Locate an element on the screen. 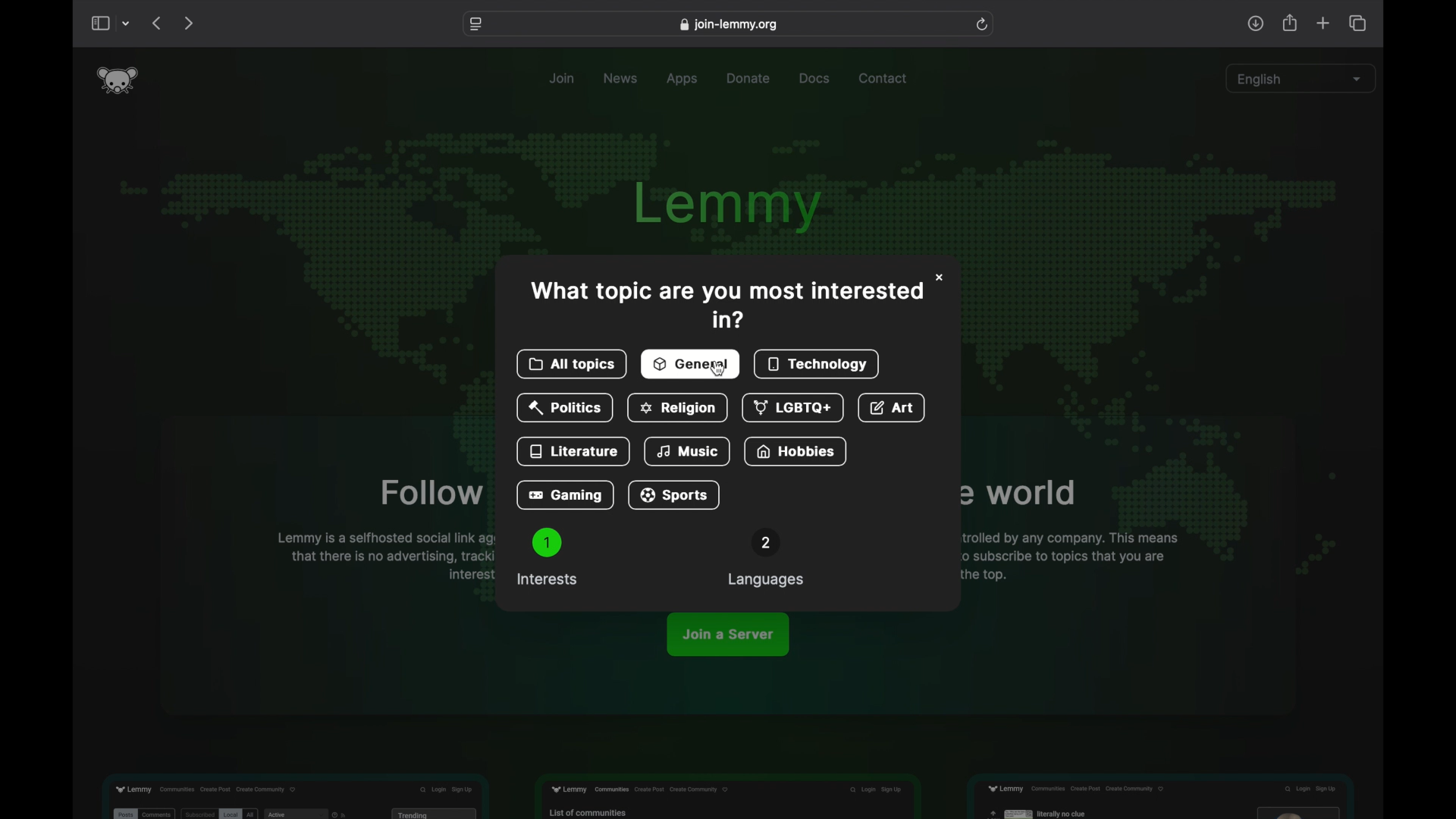  new tab is located at coordinates (1324, 23).